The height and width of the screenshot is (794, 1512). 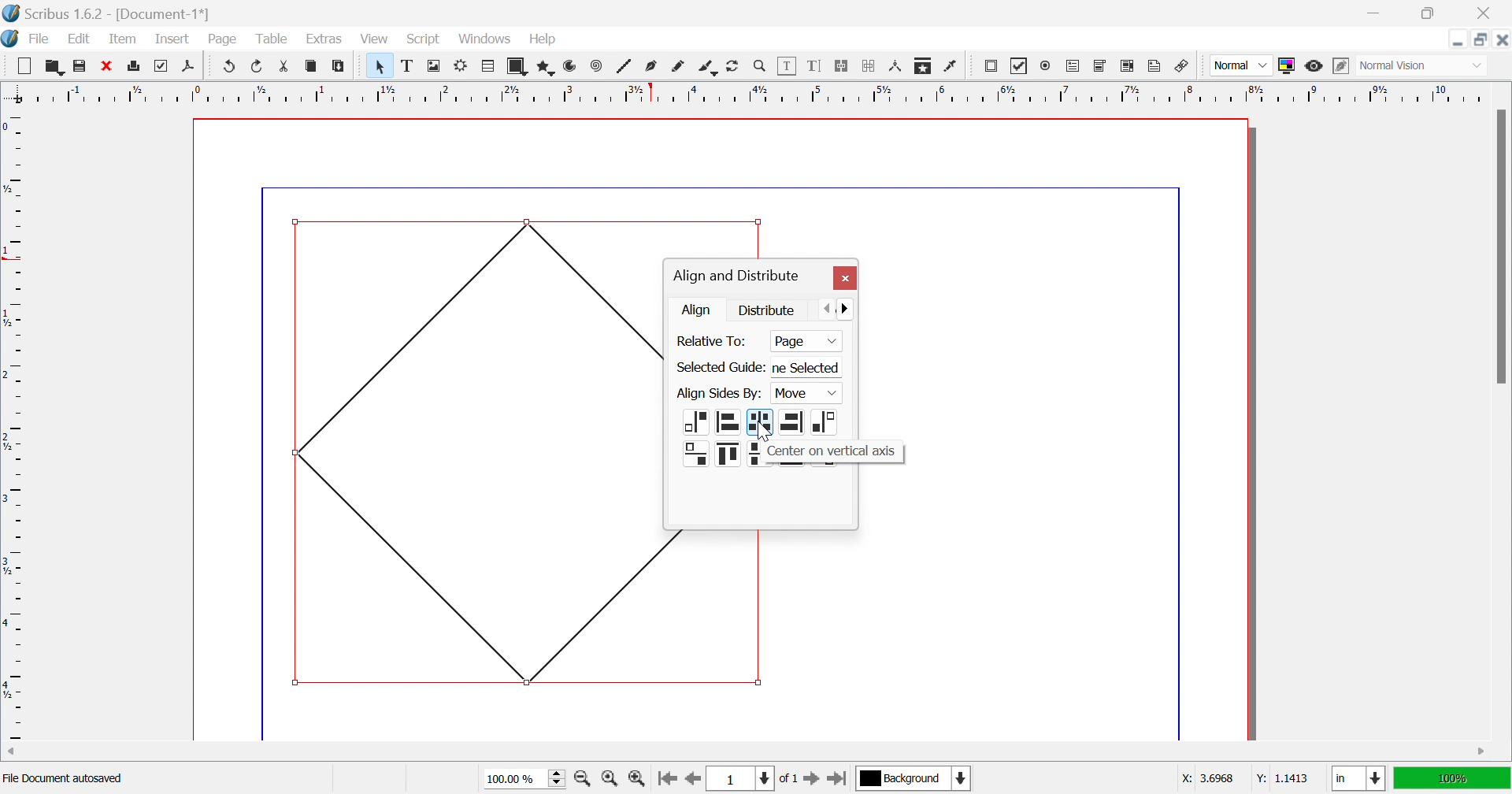 What do you see at coordinates (1481, 39) in the screenshot?
I see `Restore down` at bounding box center [1481, 39].